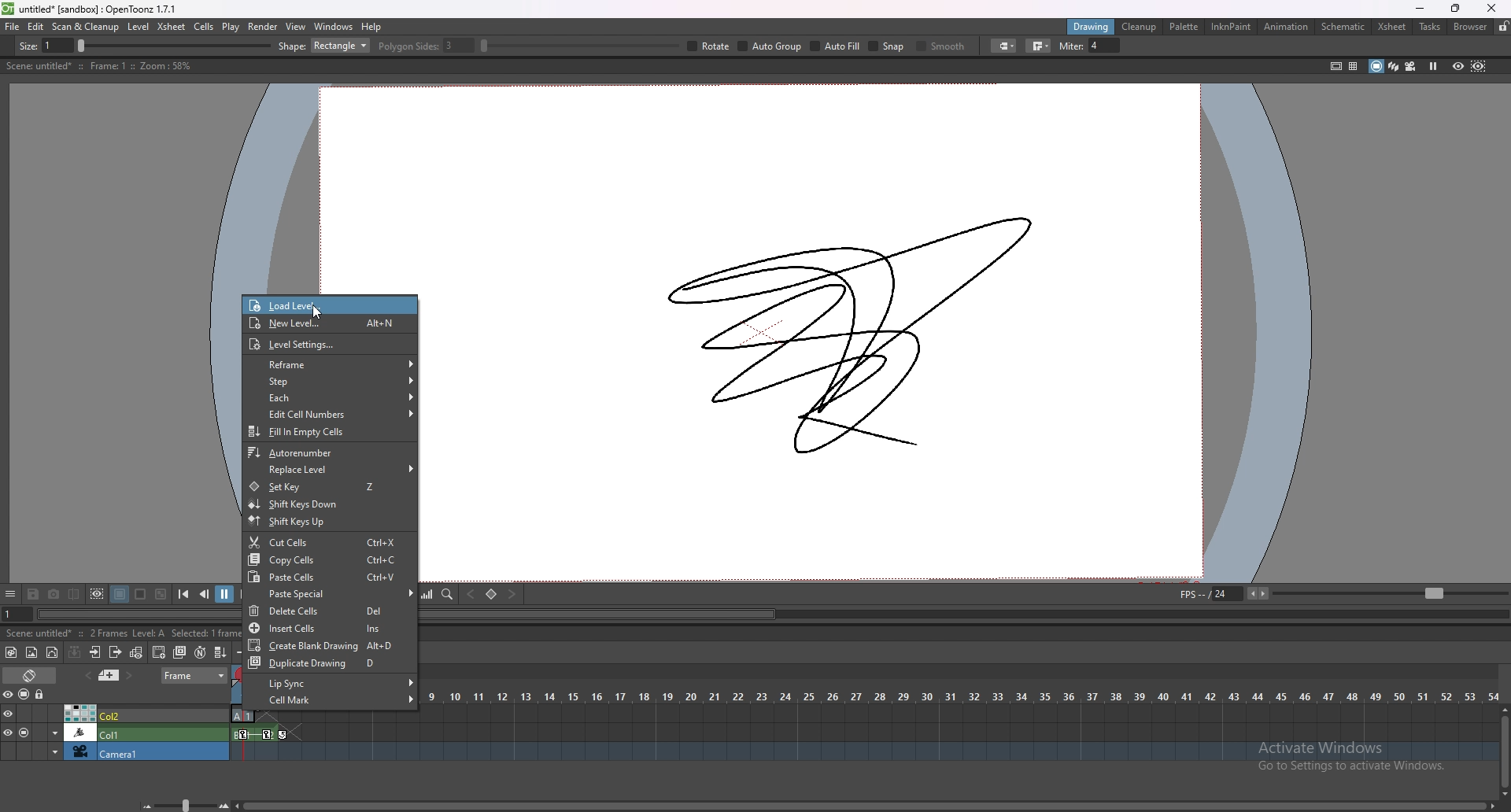  I want to click on copy cells, so click(329, 559).